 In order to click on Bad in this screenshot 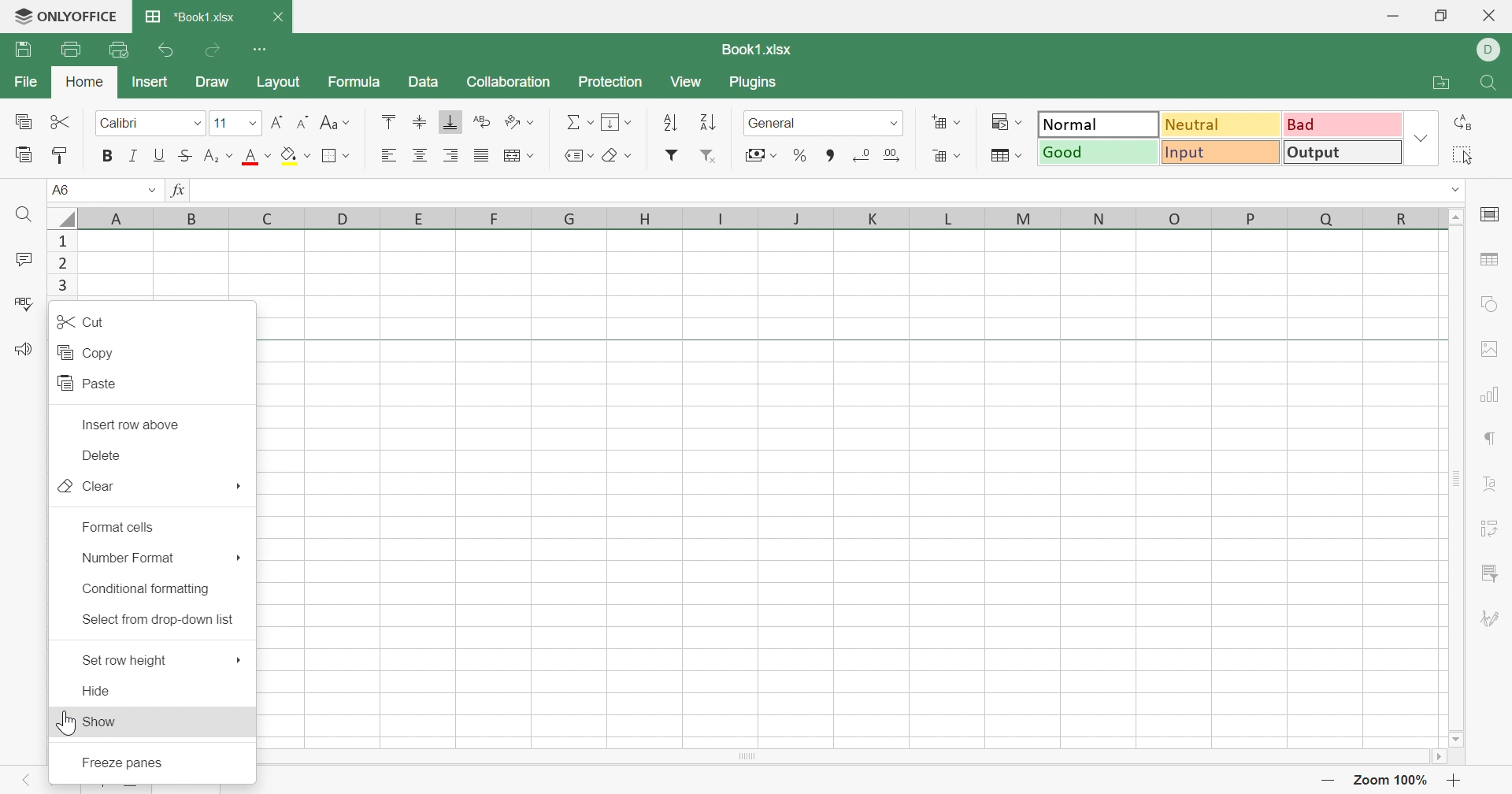, I will do `click(1343, 124)`.